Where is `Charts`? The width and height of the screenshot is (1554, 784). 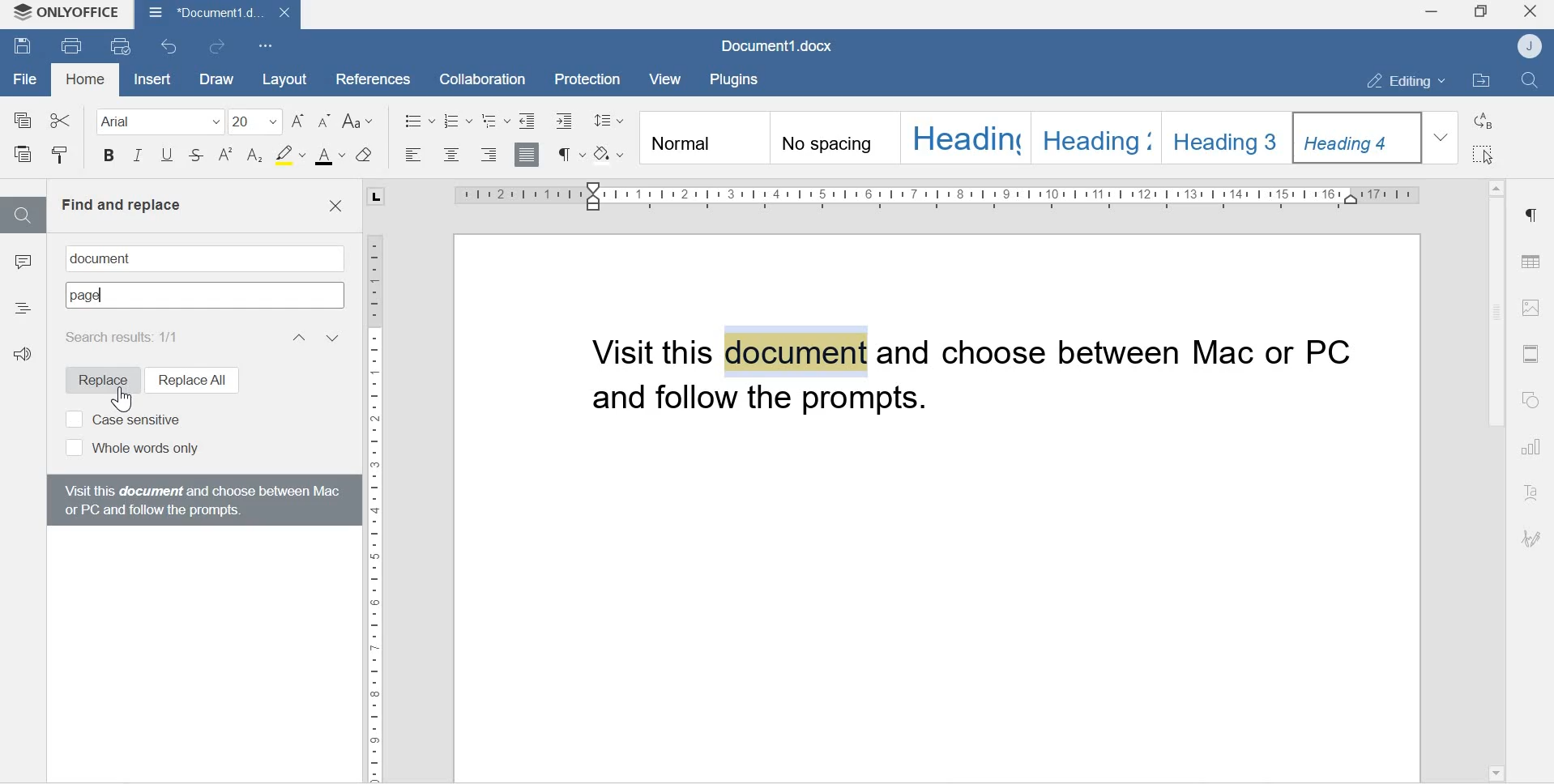
Charts is located at coordinates (1533, 449).